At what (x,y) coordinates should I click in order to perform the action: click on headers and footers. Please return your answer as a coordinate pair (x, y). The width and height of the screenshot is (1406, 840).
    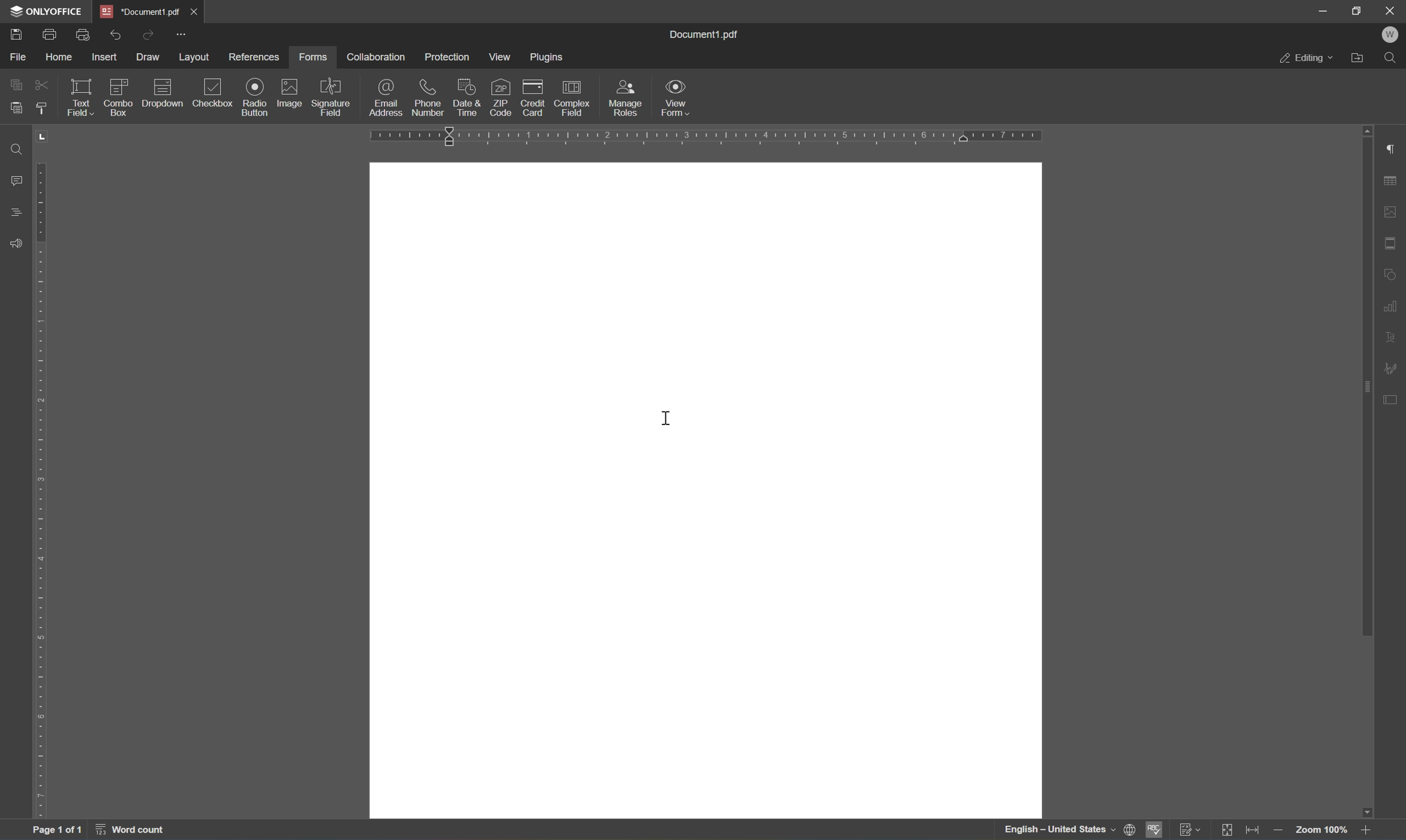
    Looking at the image, I should click on (1393, 239).